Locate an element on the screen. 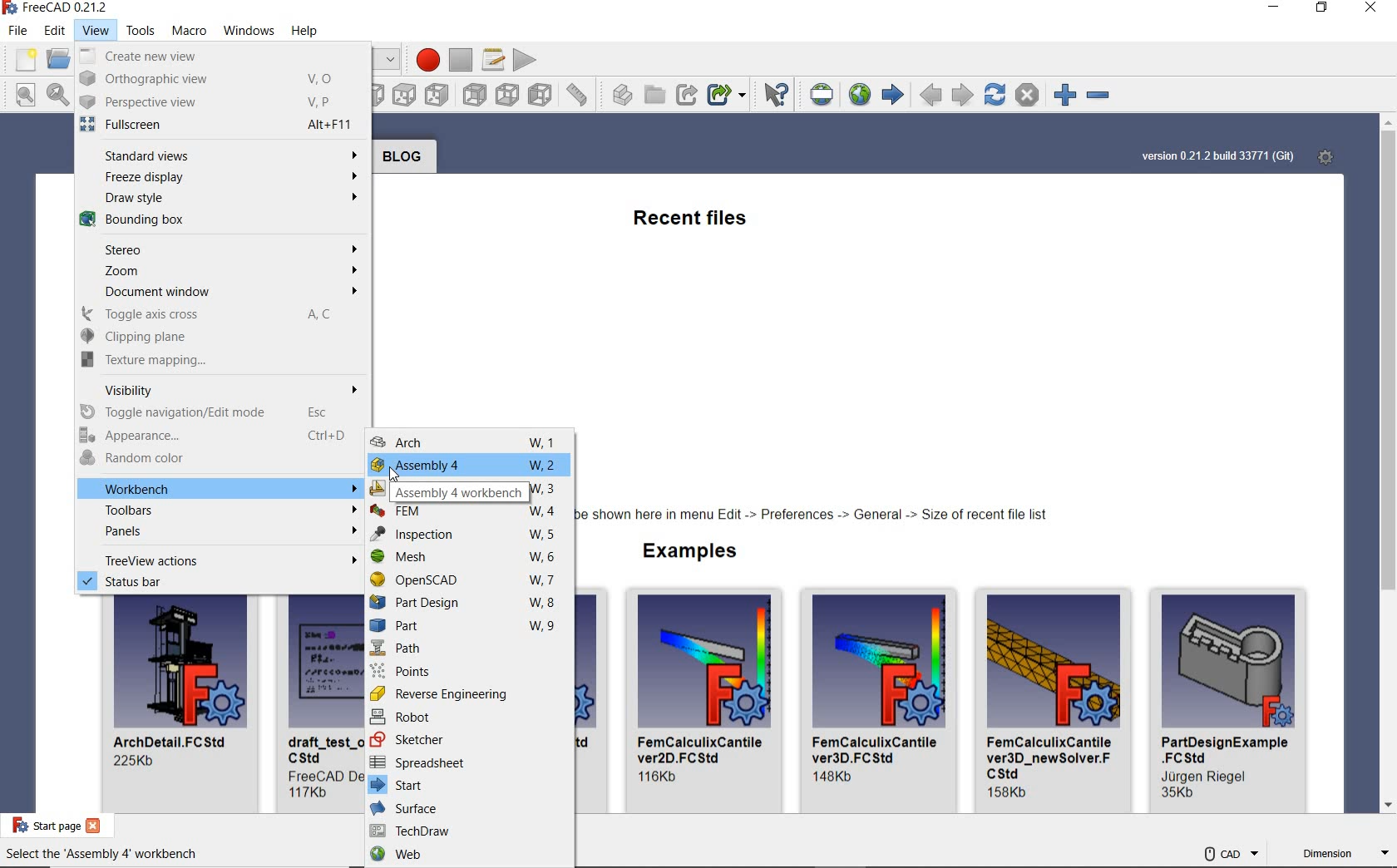  create group is located at coordinates (657, 96).